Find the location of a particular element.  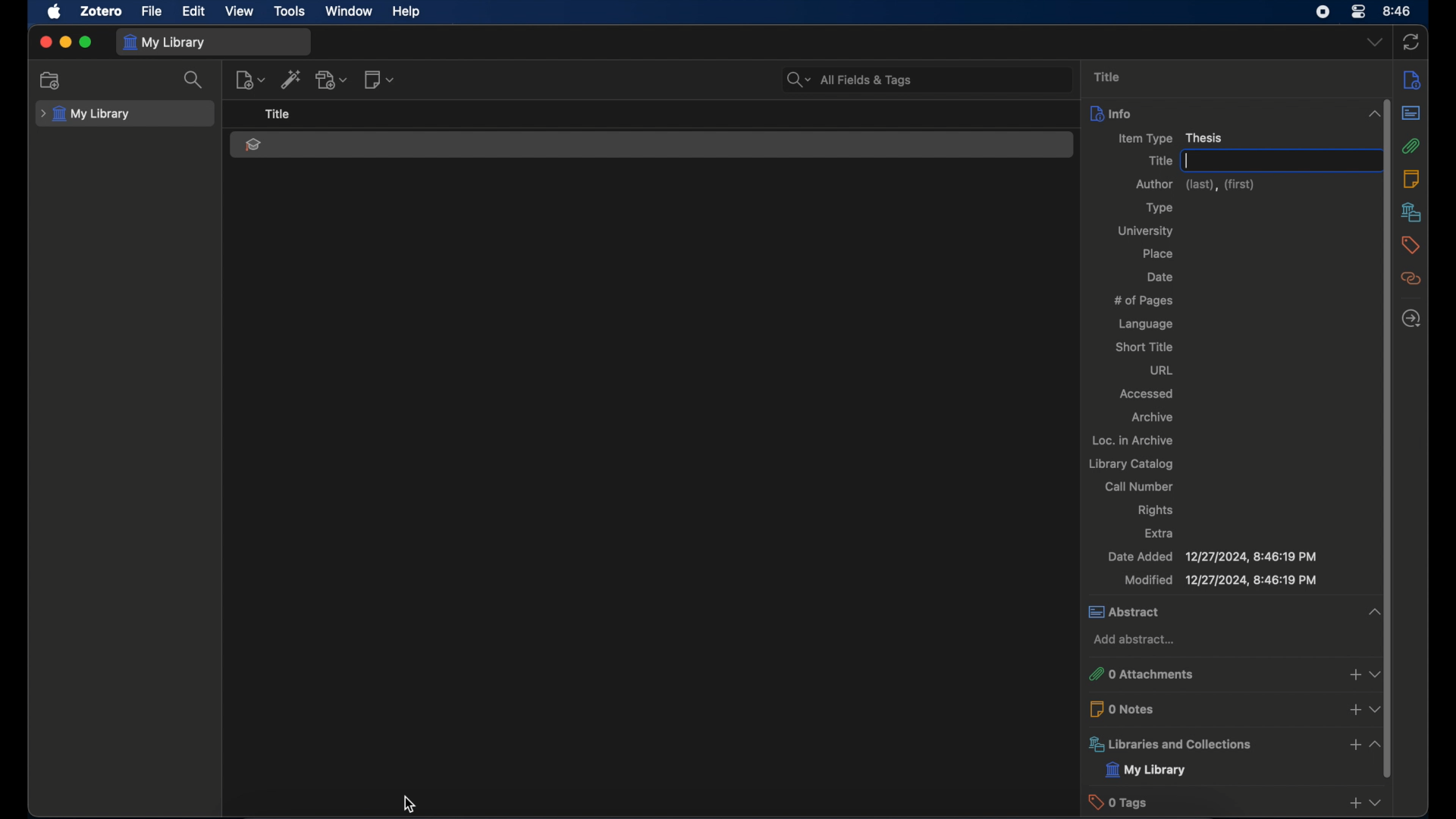

dropdown is located at coordinates (1376, 670).